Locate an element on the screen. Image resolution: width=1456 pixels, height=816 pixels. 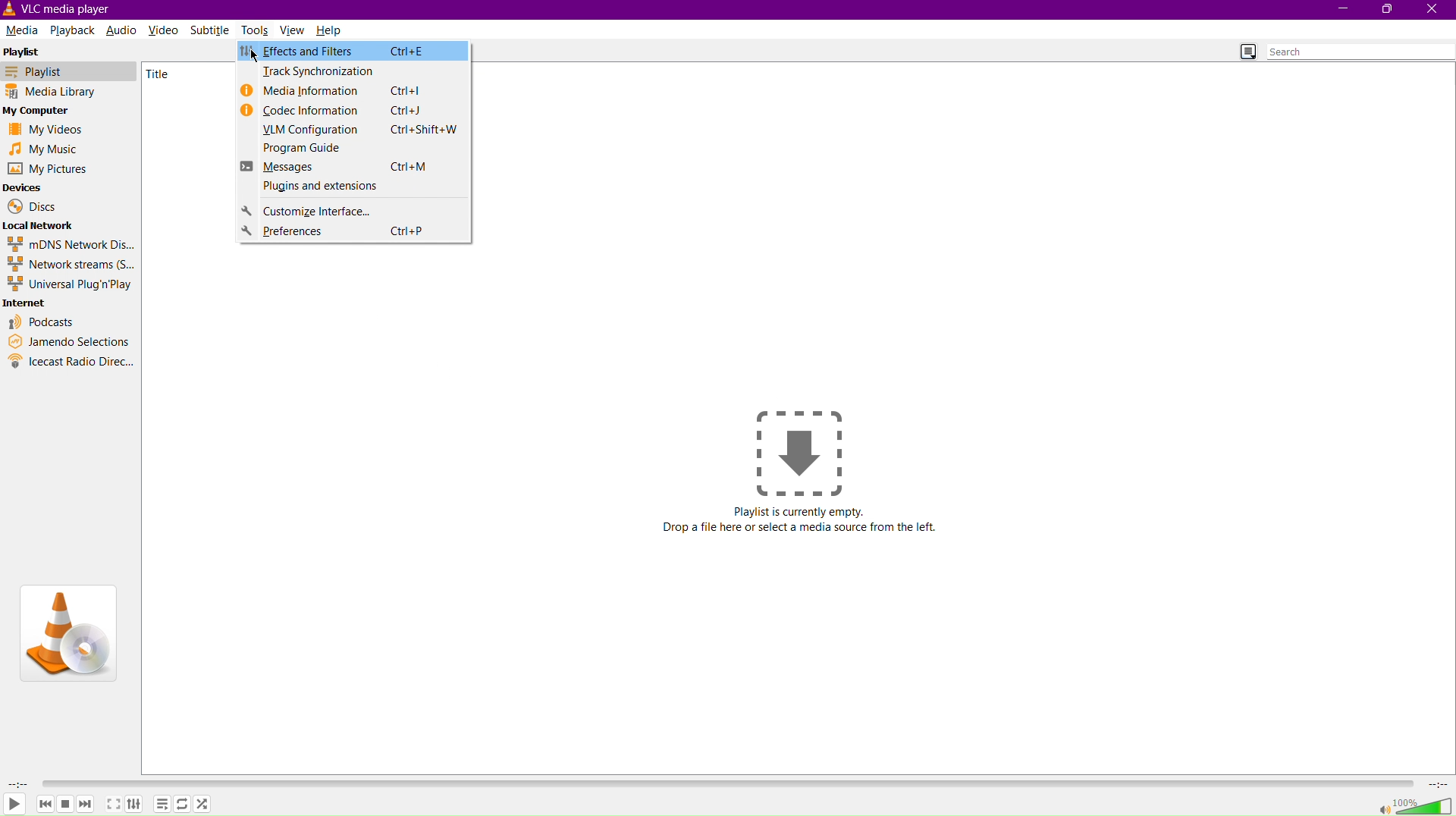
Toggle Playlist view is located at coordinates (1245, 52).